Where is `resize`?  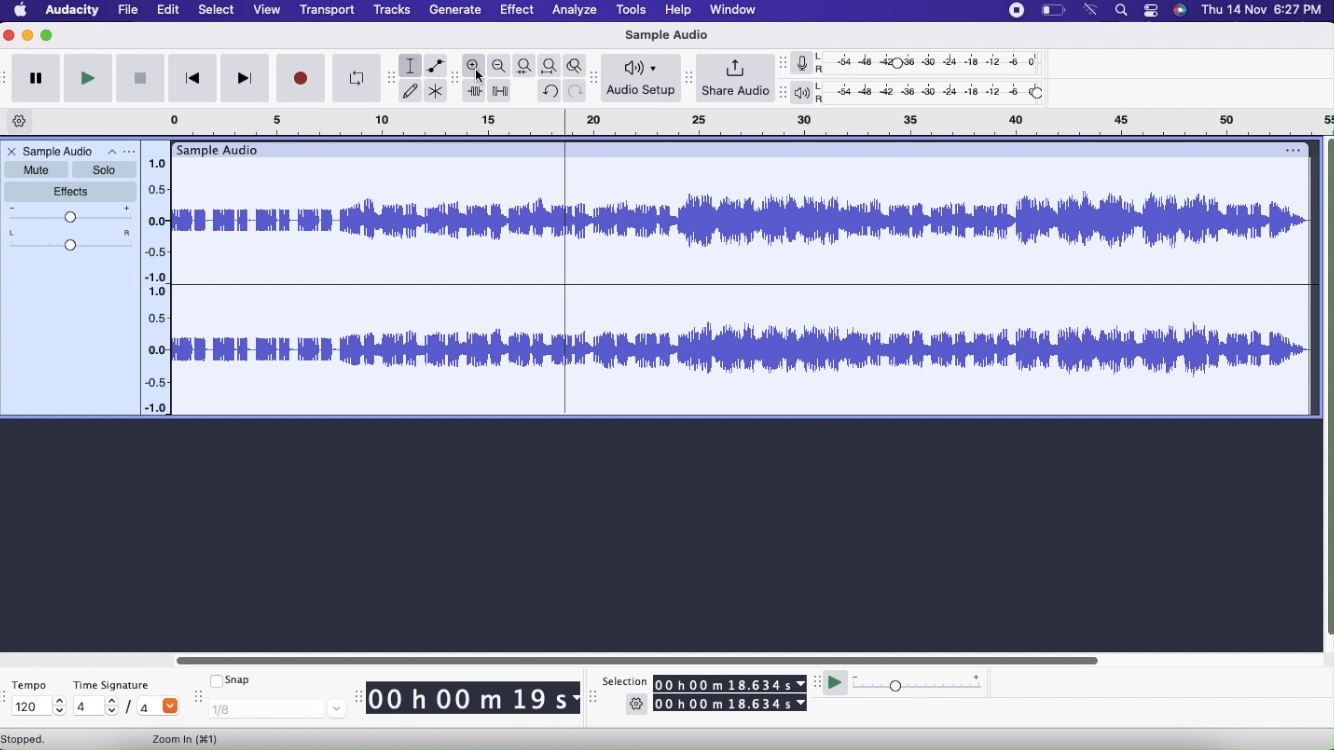 resize is located at coordinates (817, 684).